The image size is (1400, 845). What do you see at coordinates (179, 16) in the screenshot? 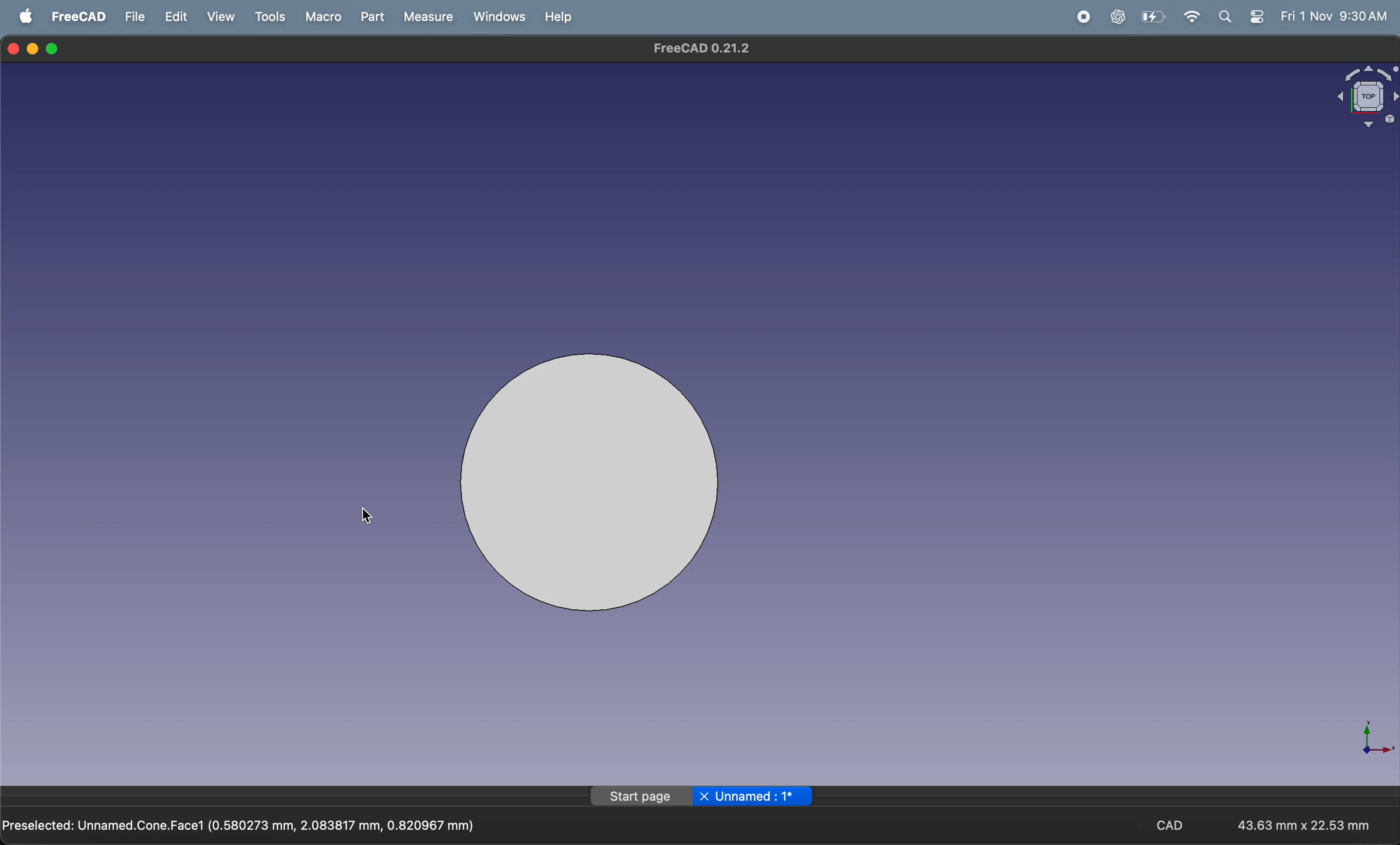
I see `edit` at bounding box center [179, 16].